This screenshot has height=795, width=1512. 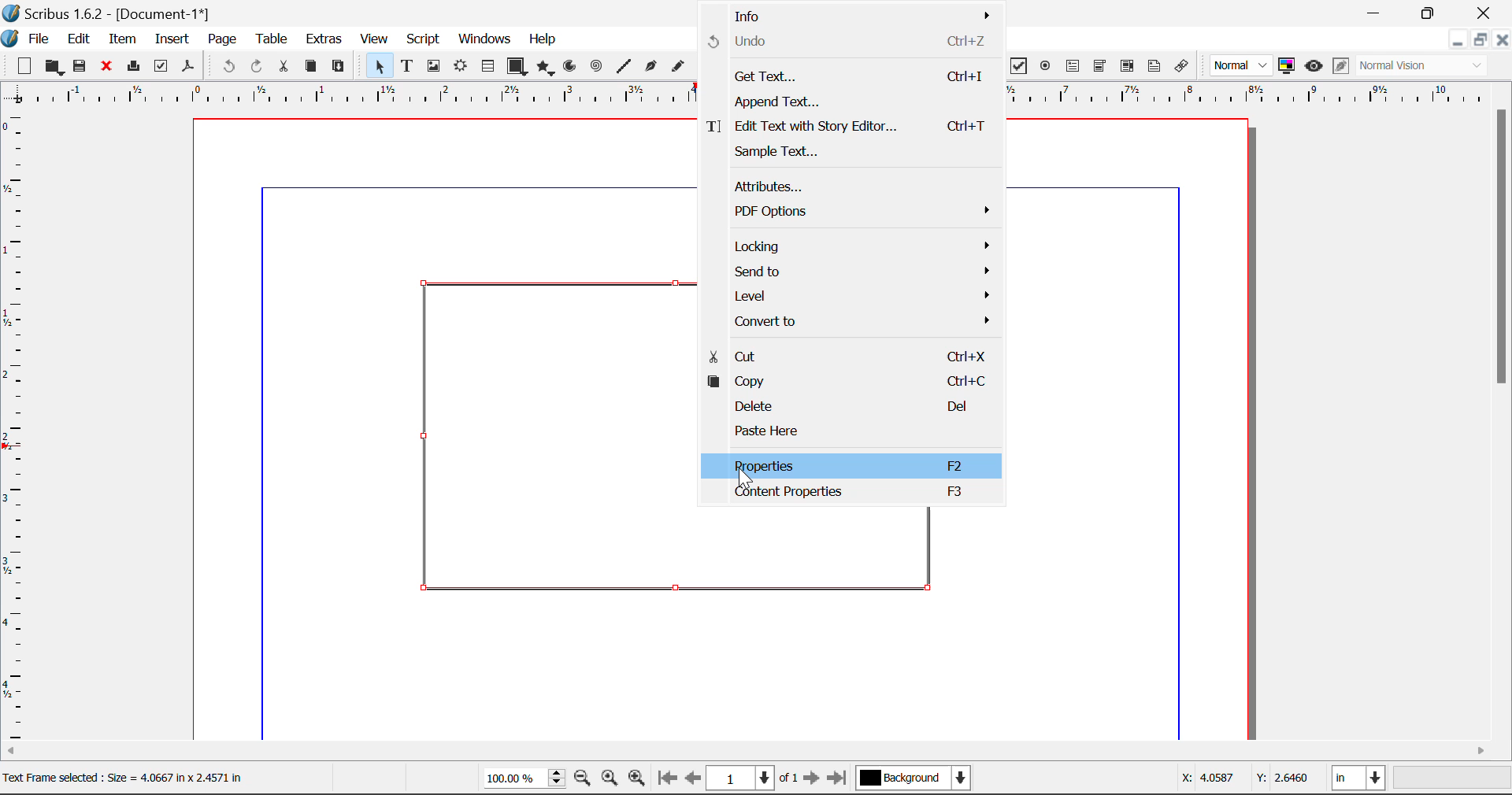 I want to click on New, so click(x=23, y=66).